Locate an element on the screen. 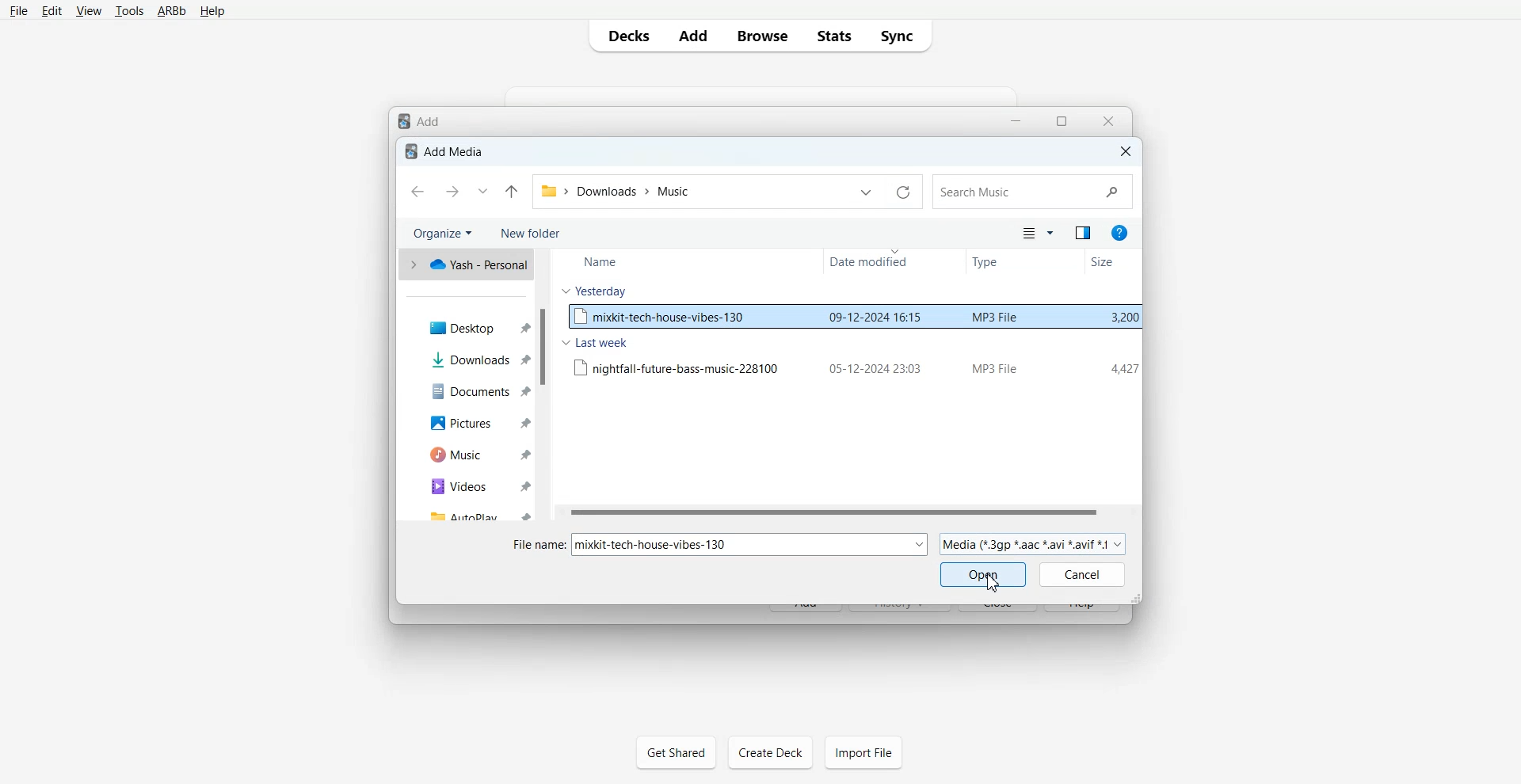  One Drive is located at coordinates (466, 265).